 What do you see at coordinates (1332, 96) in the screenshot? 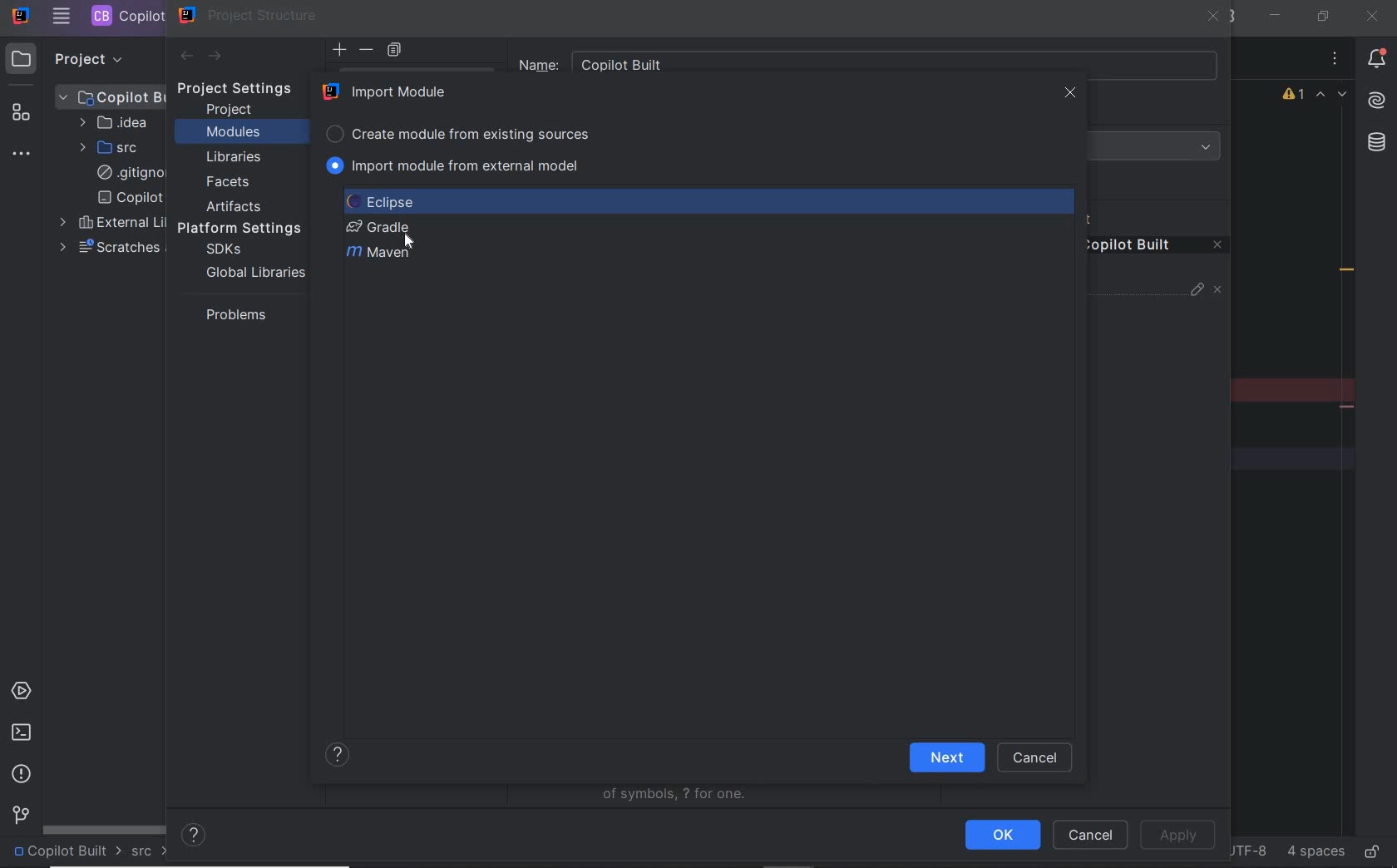
I see `highlighted errors` at bounding box center [1332, 96].